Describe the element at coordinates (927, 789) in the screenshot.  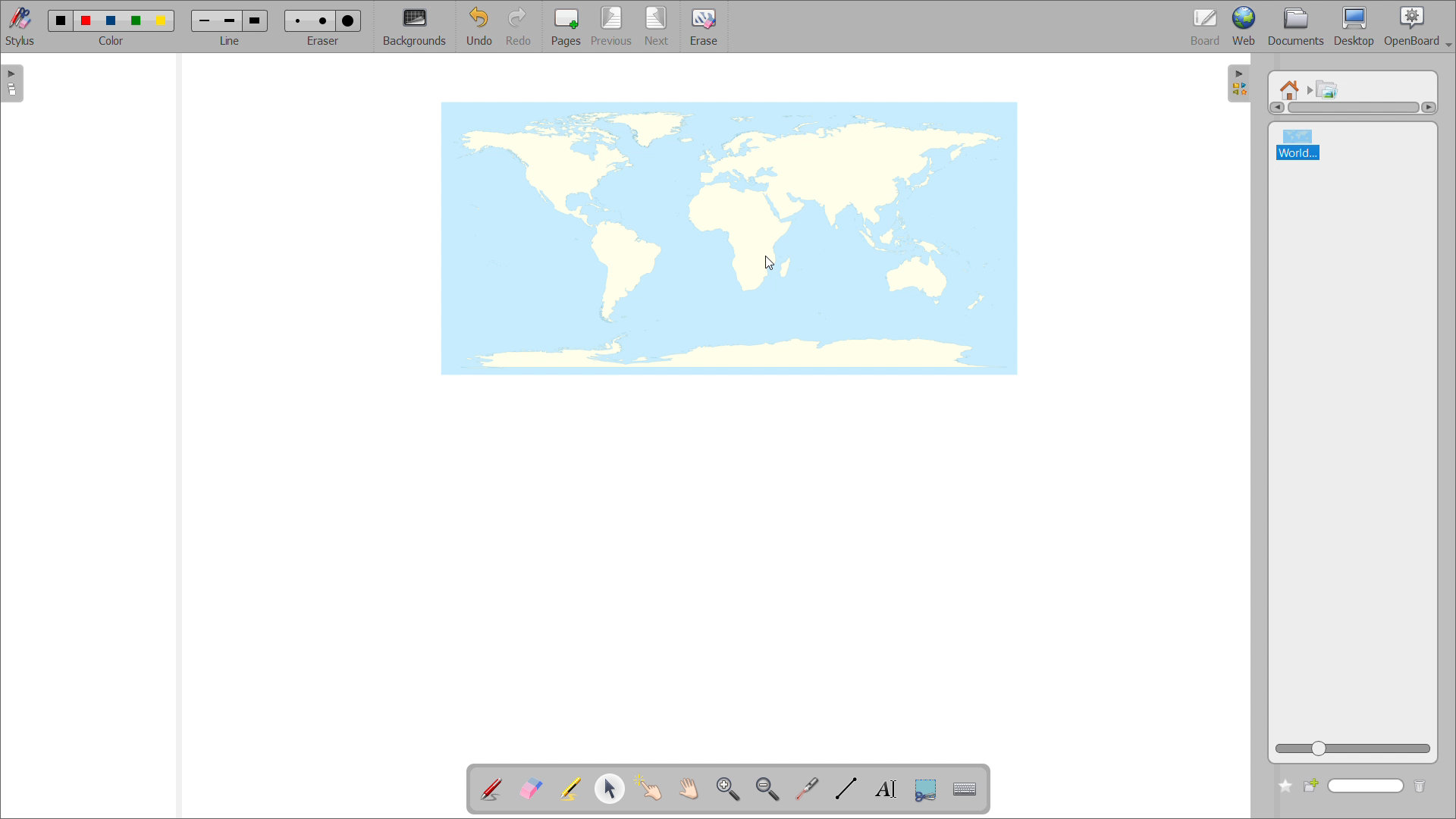
I see `capture part of the screen` at that location.